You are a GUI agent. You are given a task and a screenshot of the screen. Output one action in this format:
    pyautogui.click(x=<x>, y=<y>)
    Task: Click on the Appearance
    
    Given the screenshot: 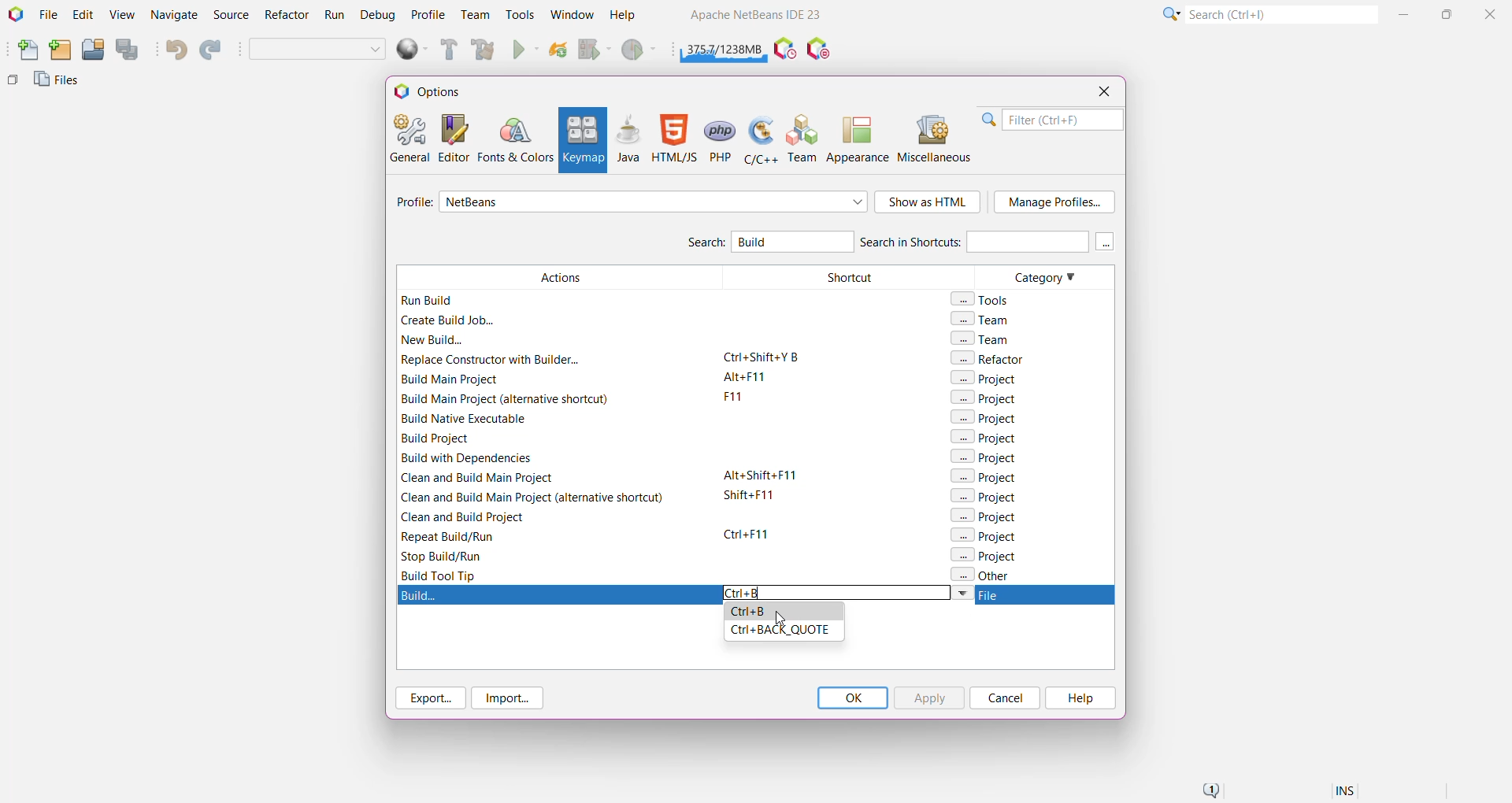 What is the action you would take?
    pyautogui.click(x=858, y=139)
    